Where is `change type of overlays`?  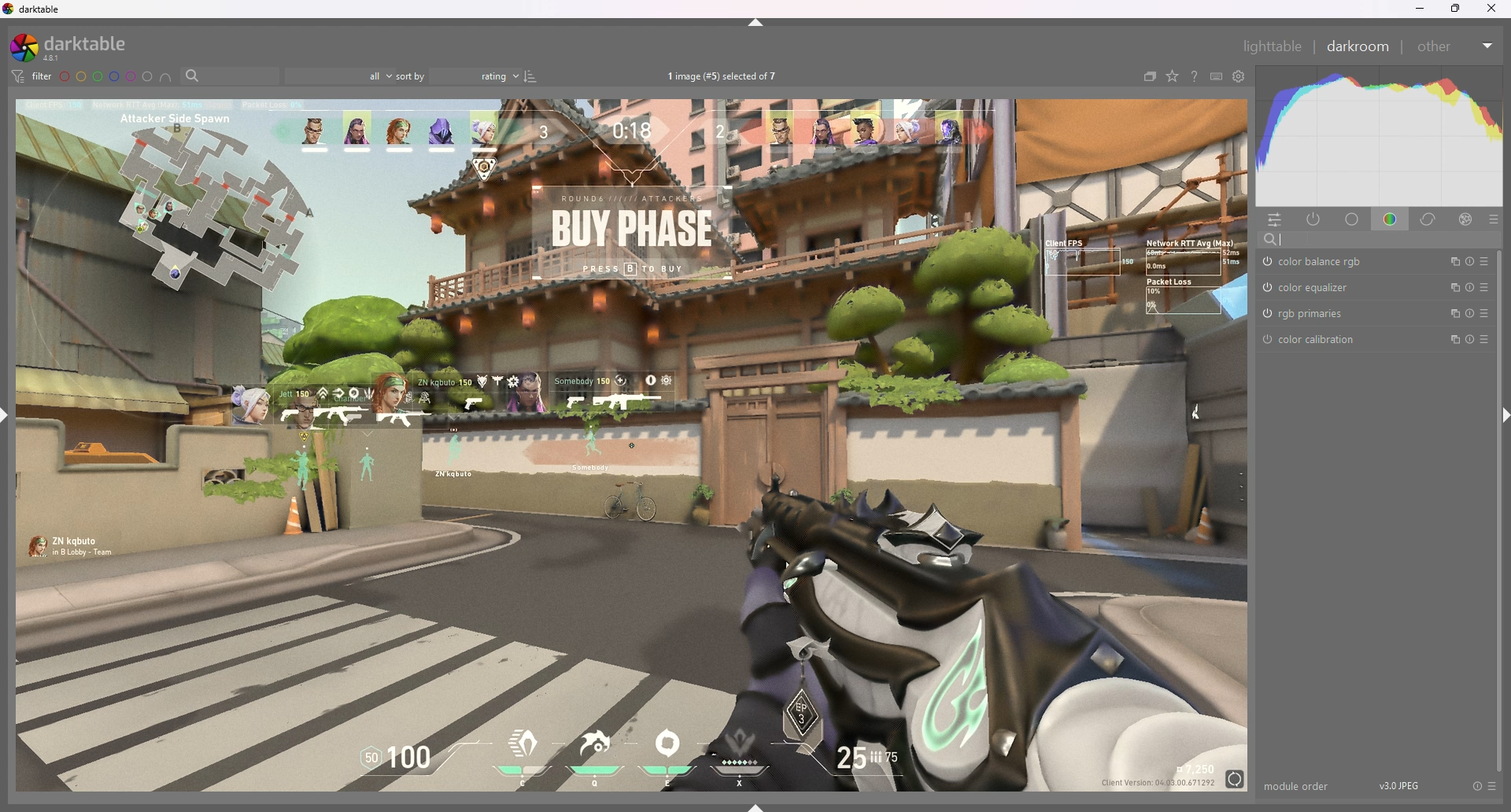
change type of overlays is located at coordinates (1173, 76).